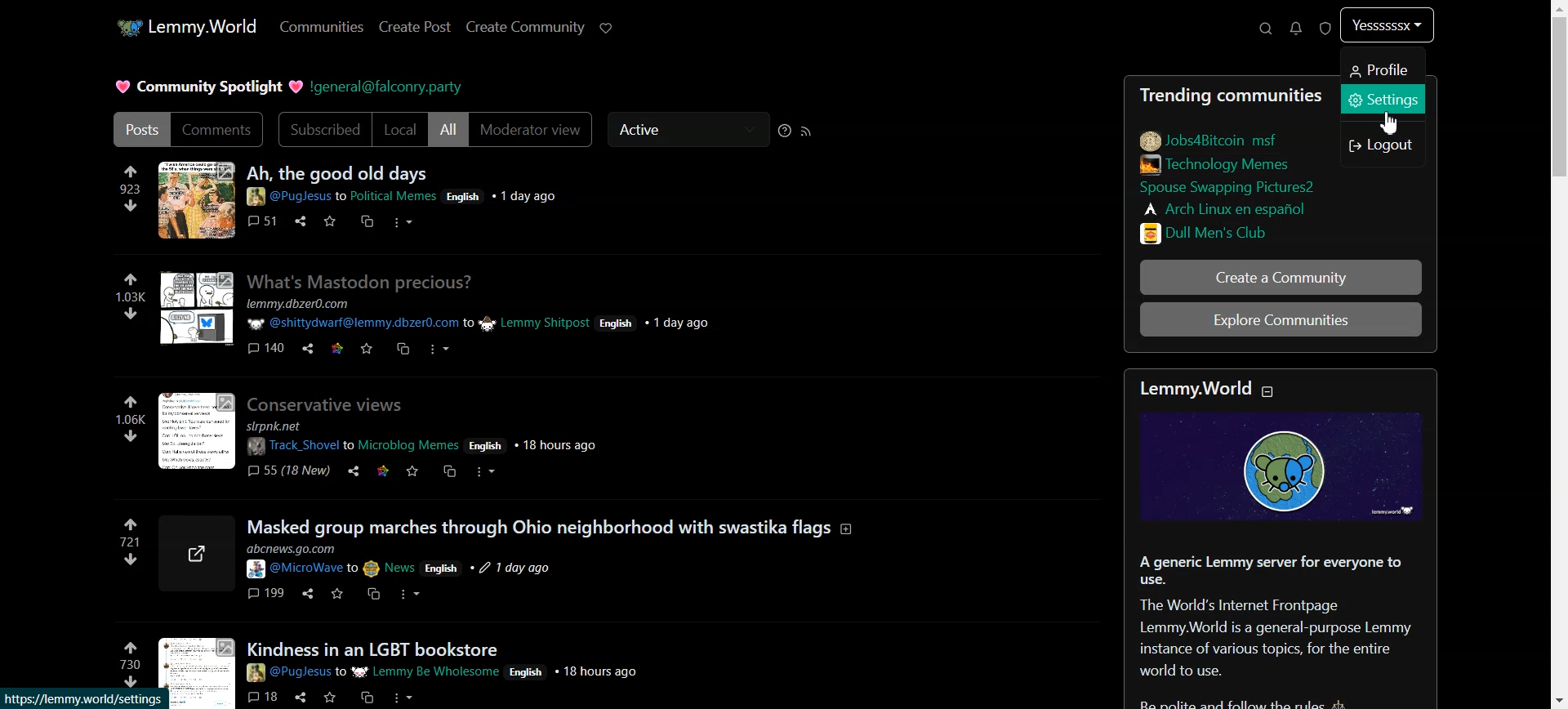 This screenshot has height=709, width=1568. What do you see at coordinates (1558, 354) in the screenshot?
I see `Scroll bar` at bounding box center [1558, 354].